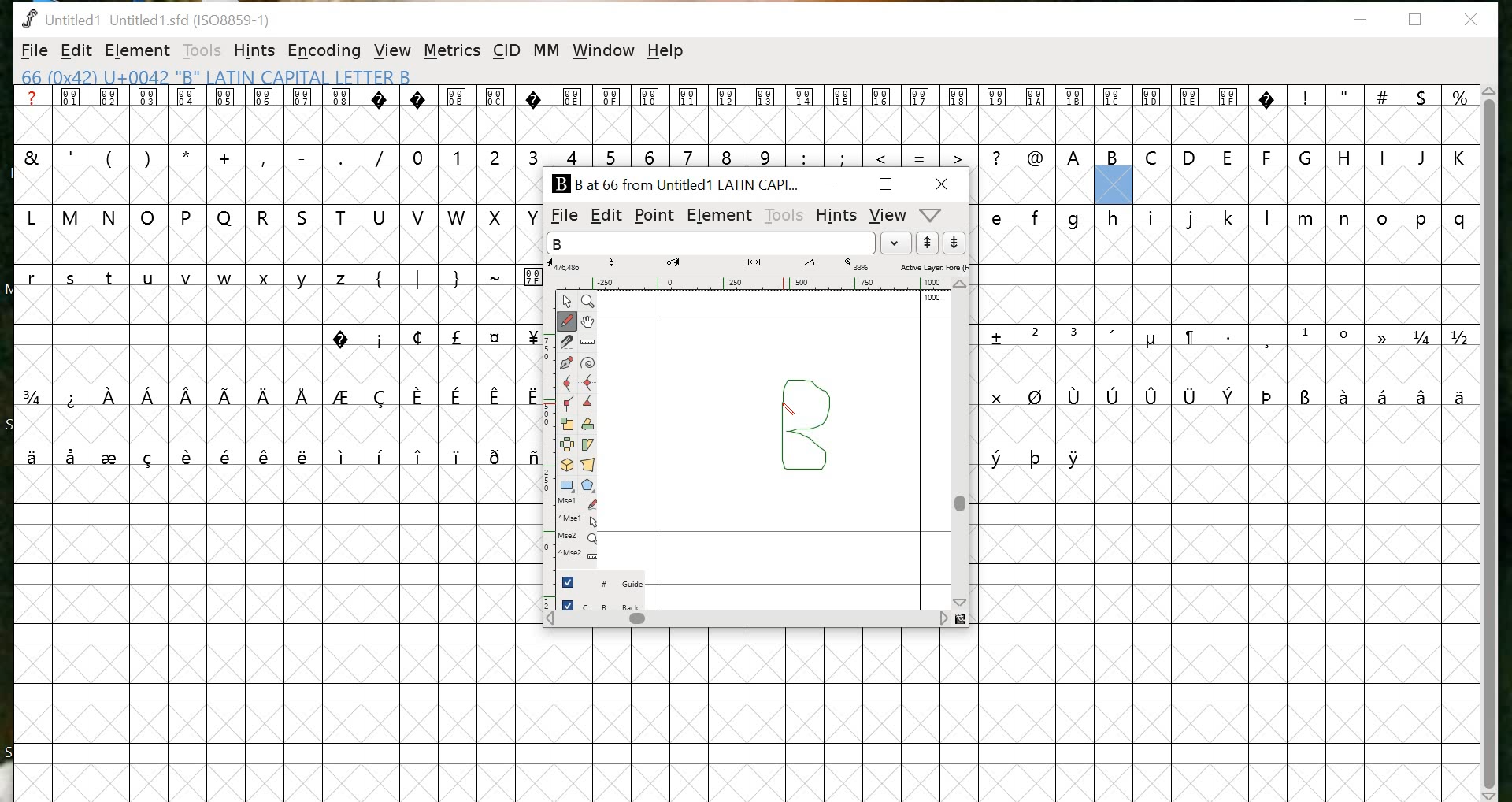 This screenshot has width=1512, height=802. Describe the element at coordinates (1228, 341) in the screenshot. I see `glyphs` at that location.